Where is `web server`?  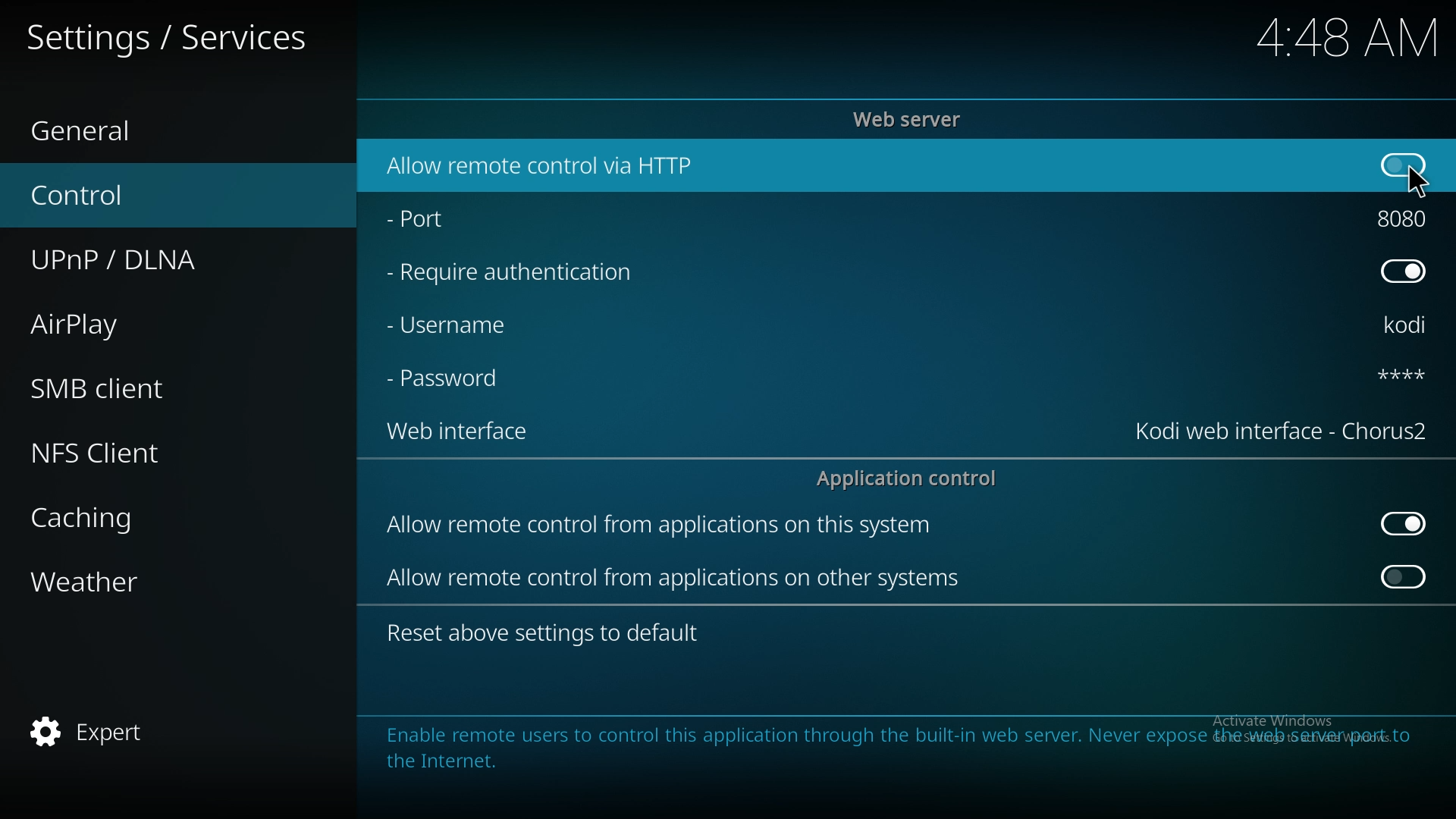
web server is located at coordinates (915, 118).